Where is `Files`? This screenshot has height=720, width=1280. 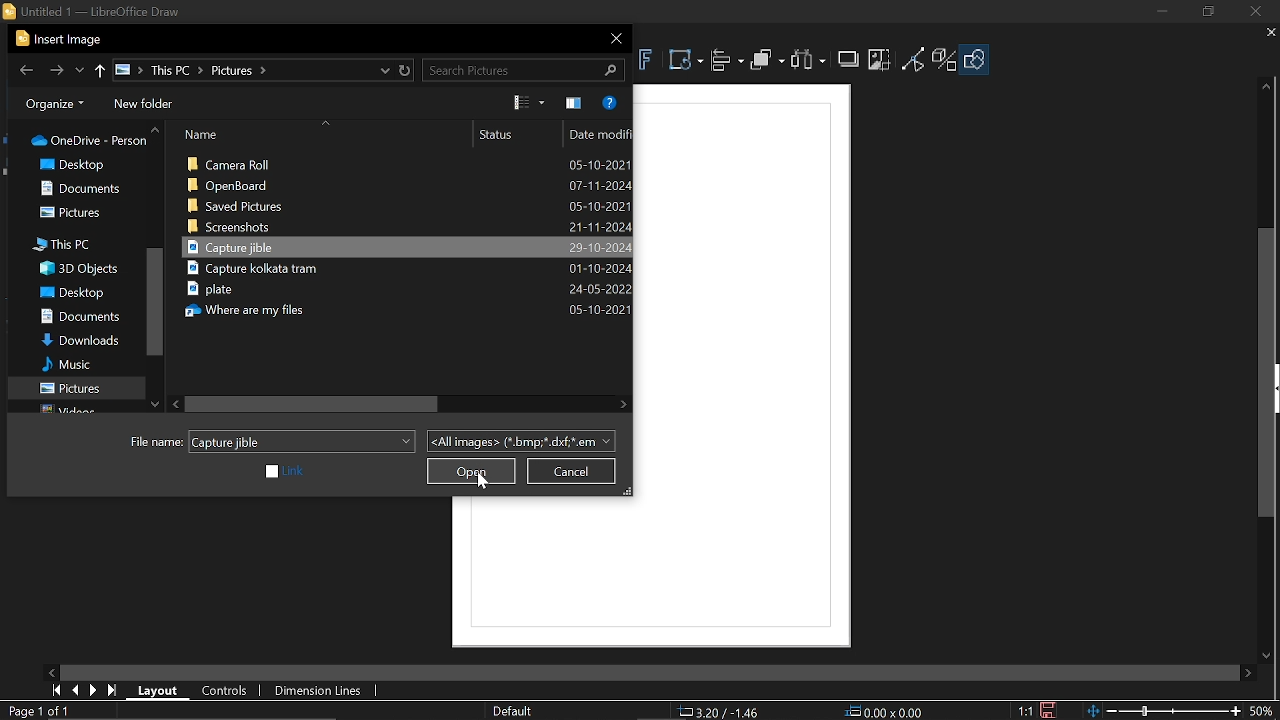
Files is located at coordinates (406, 247).